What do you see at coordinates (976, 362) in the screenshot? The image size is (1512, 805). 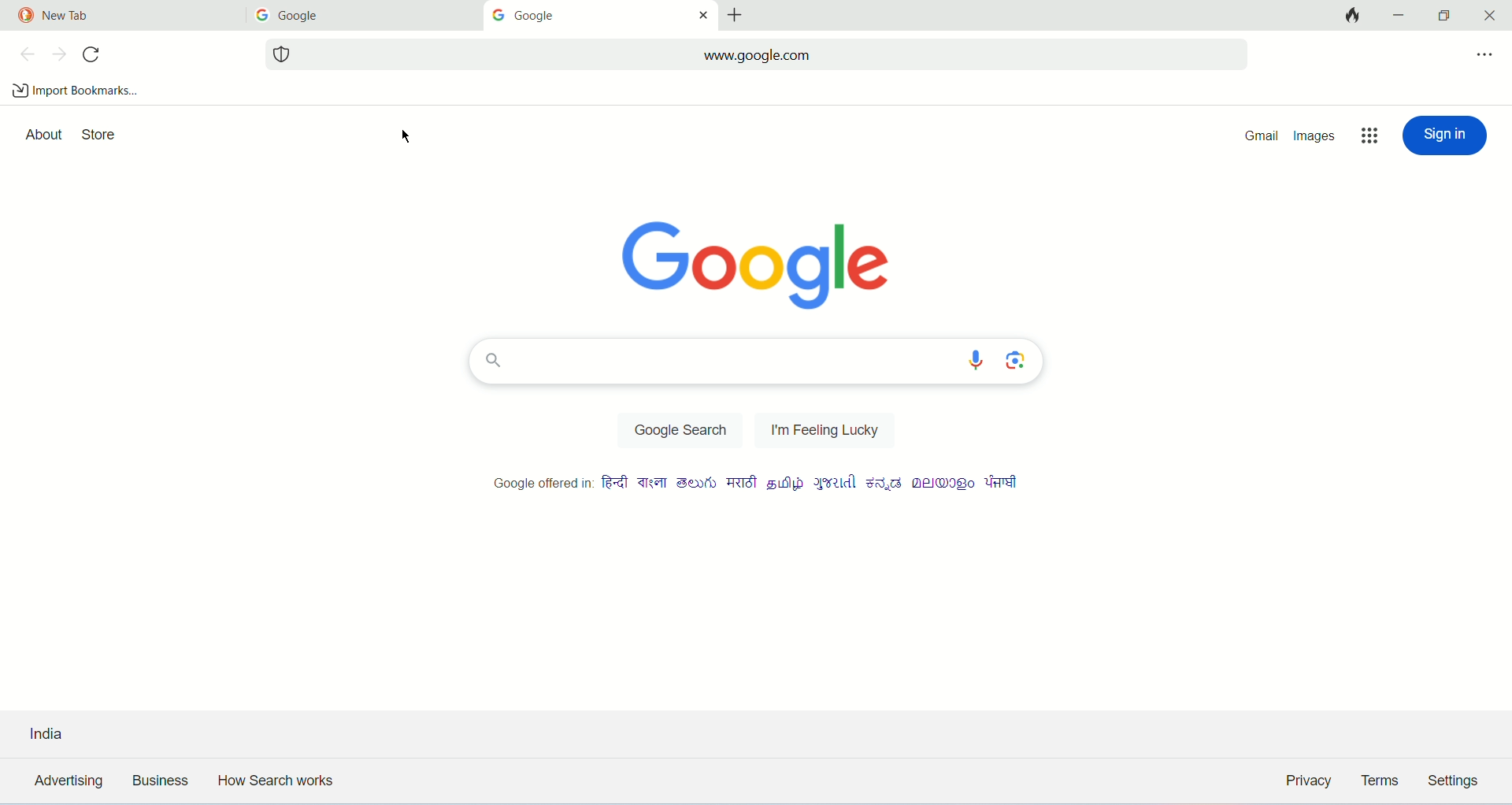 I see `search by voice` at bounding box center [976, 362].